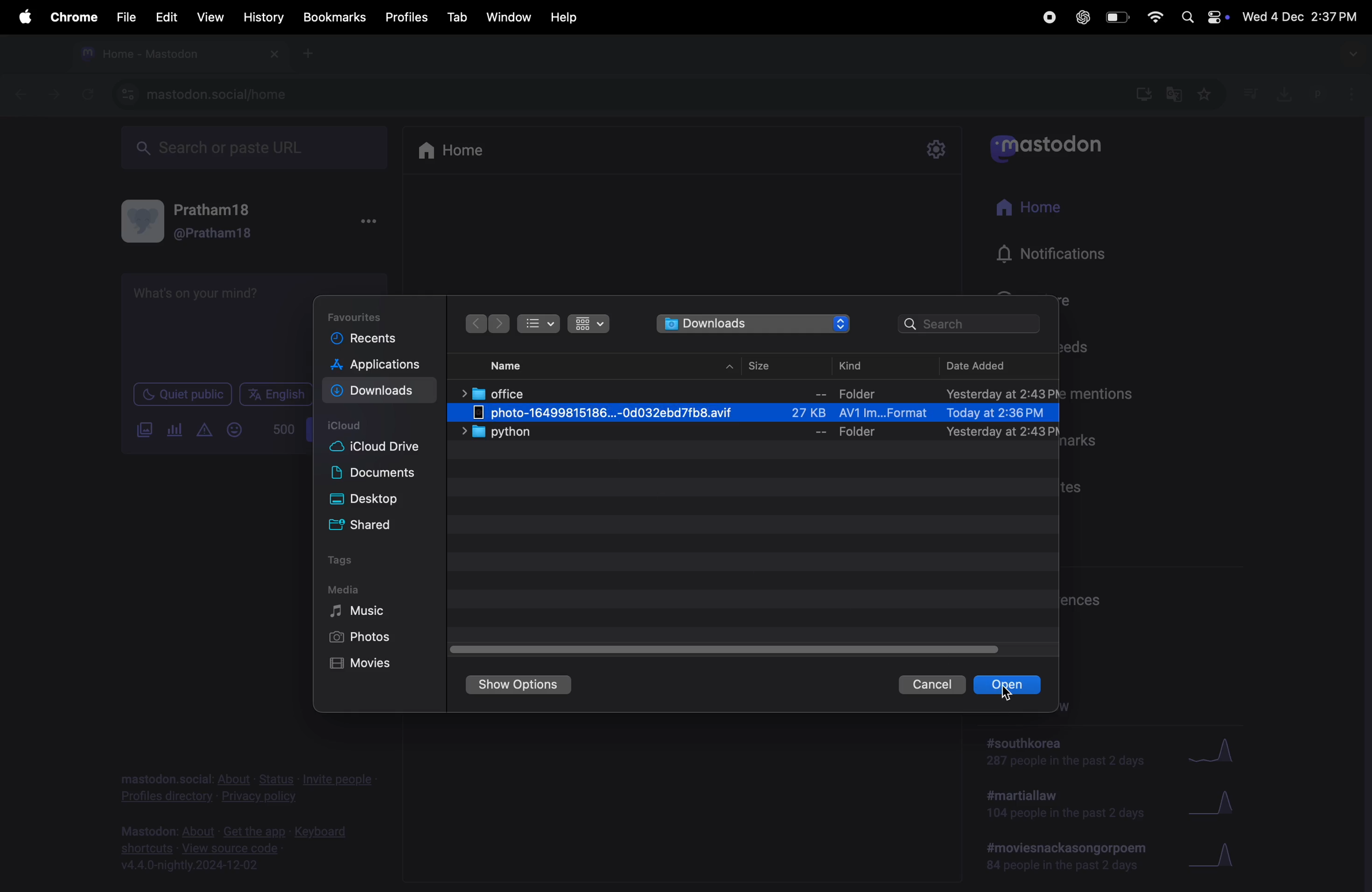 The width and height of the screenshot is (1372, 892). I want to click on date and time, so click(1302, 14).